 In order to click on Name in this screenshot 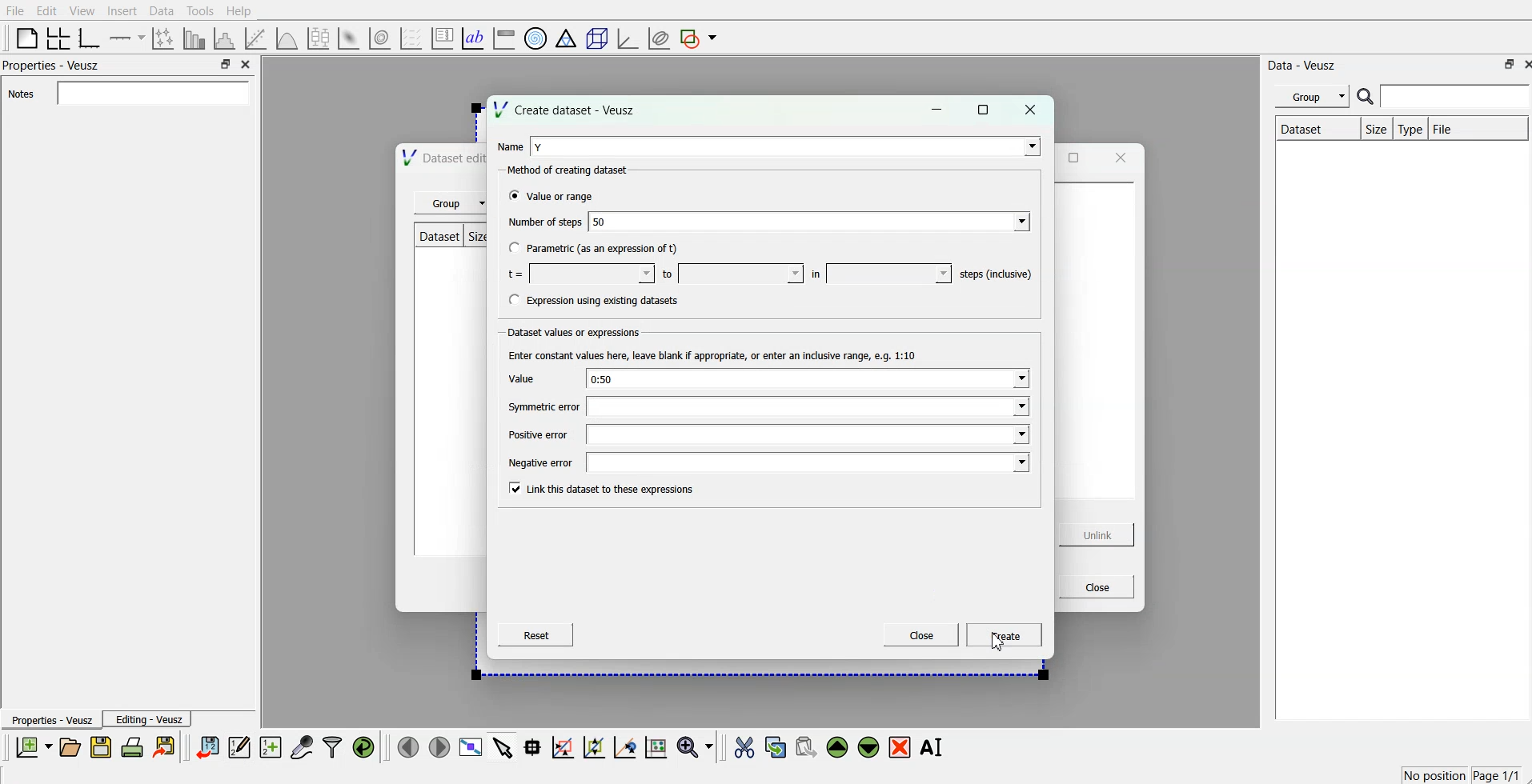, I will do `click(508, 145)`.